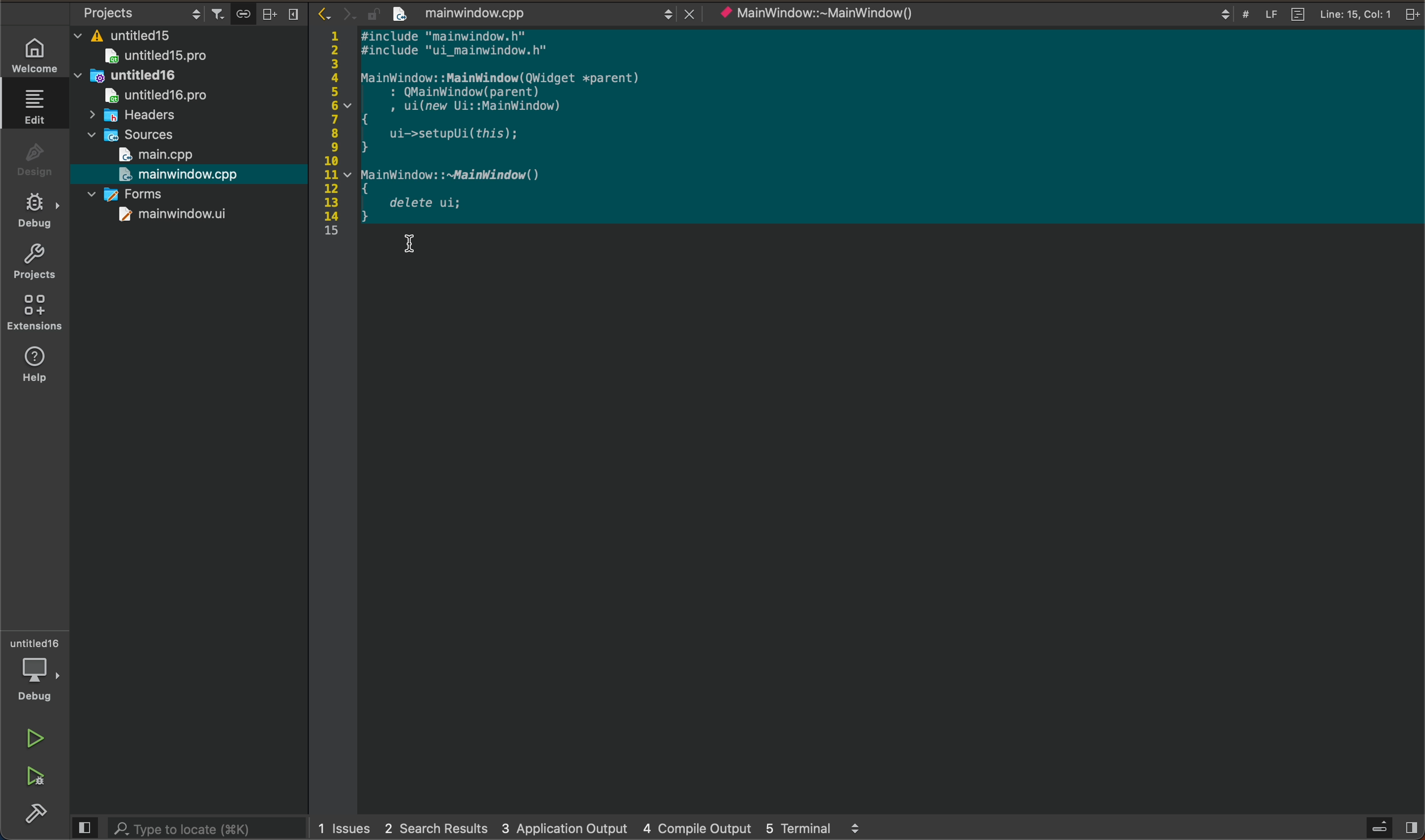  I want to click on WELCOME, so click(34, 54).